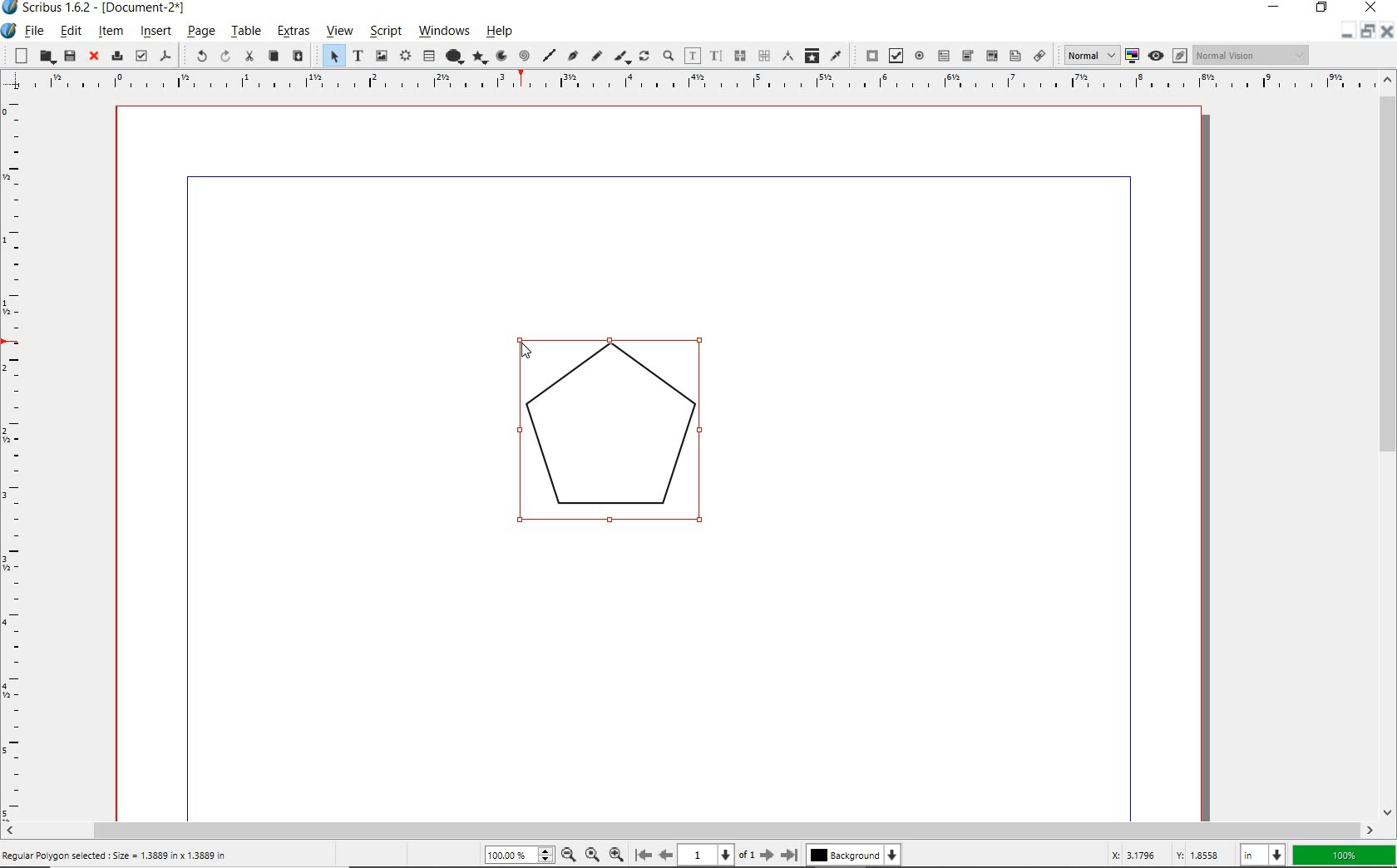 The height and width of the screenshot is (868, 1397). What do you see at coordinates (760, 855) in the screenshot?
I see `Move to next page` at bounding box center [760, 855].